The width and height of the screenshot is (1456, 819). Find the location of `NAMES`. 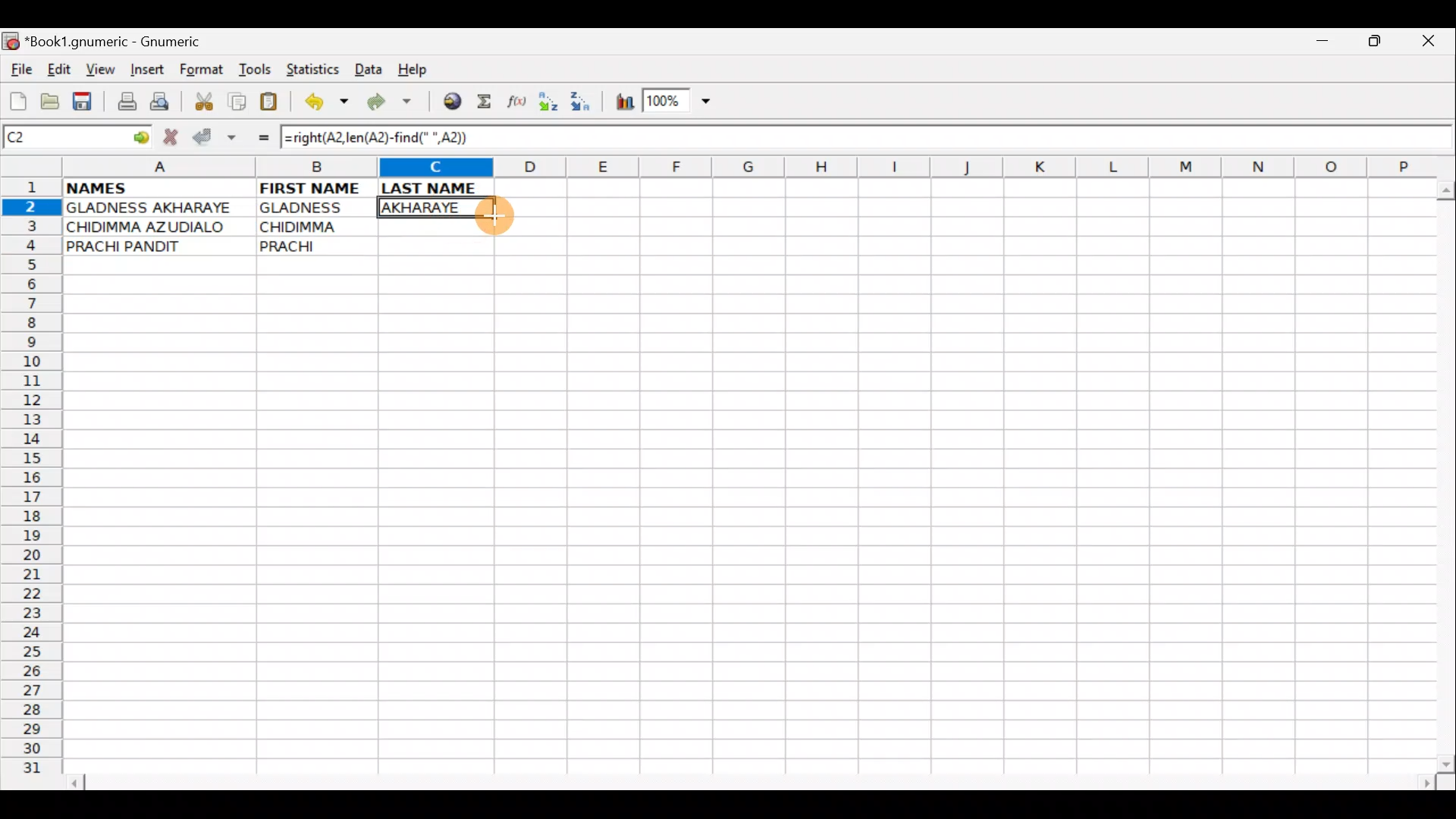

NAMES is located at coordinates (142, 187).